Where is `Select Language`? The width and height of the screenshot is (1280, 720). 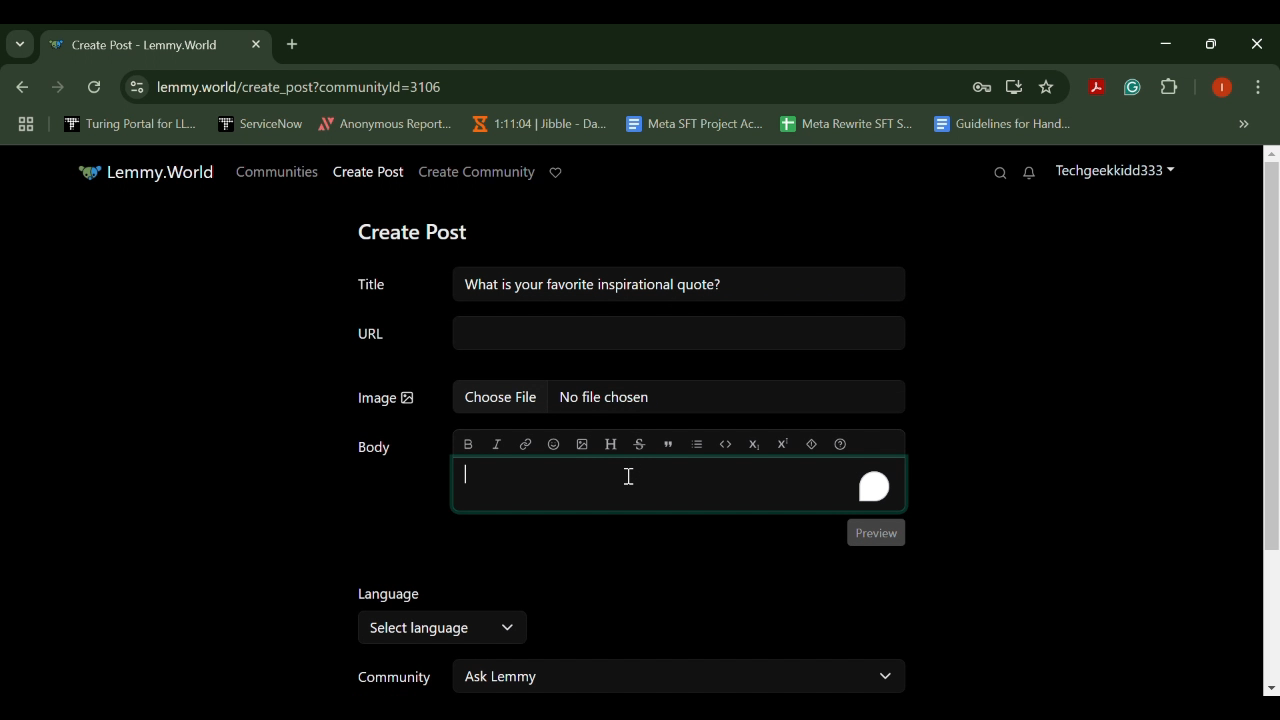
Select Language is located at coordinates (440, 628).